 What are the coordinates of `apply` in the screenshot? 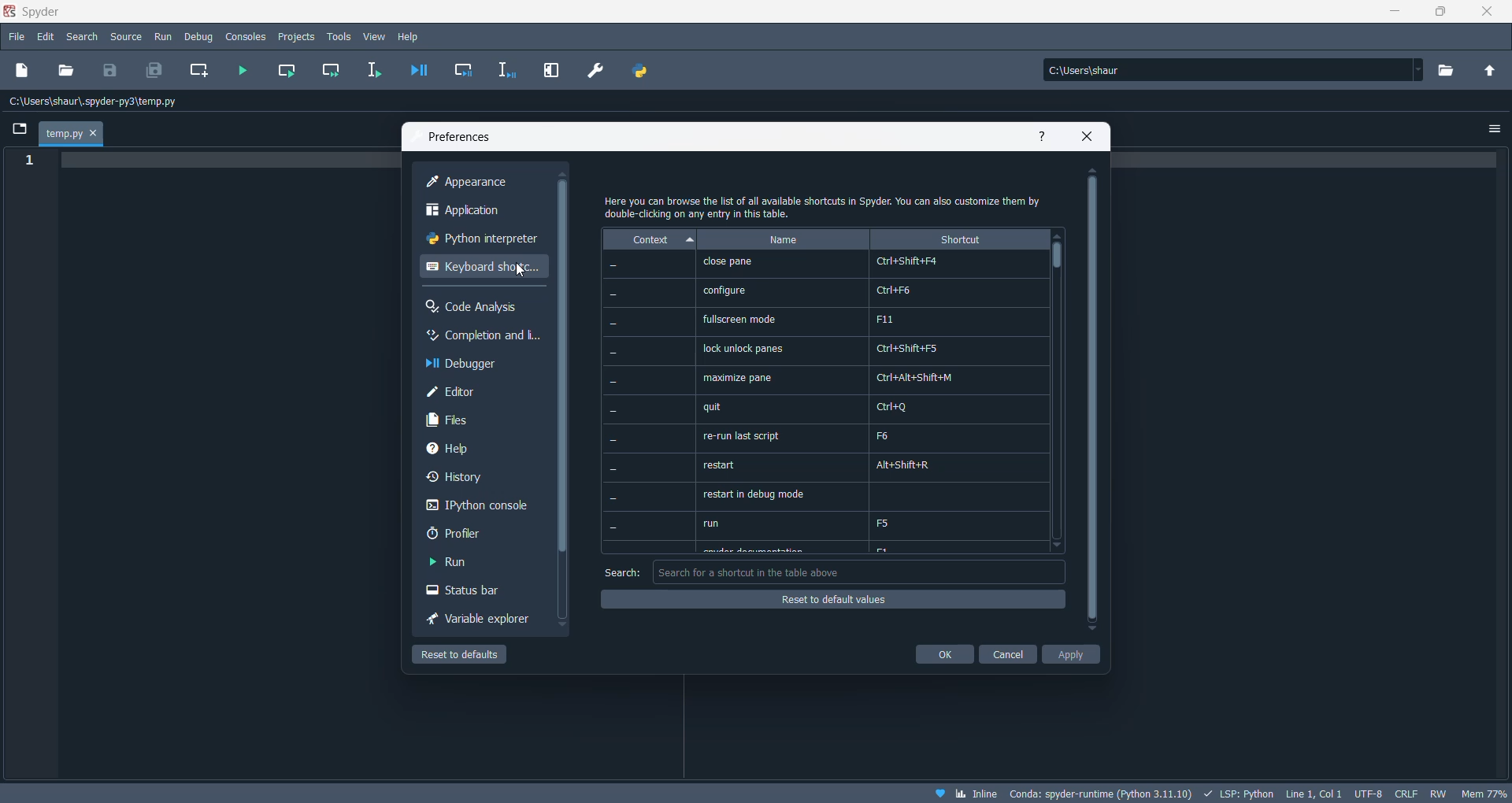 It's located at (1074, 654).